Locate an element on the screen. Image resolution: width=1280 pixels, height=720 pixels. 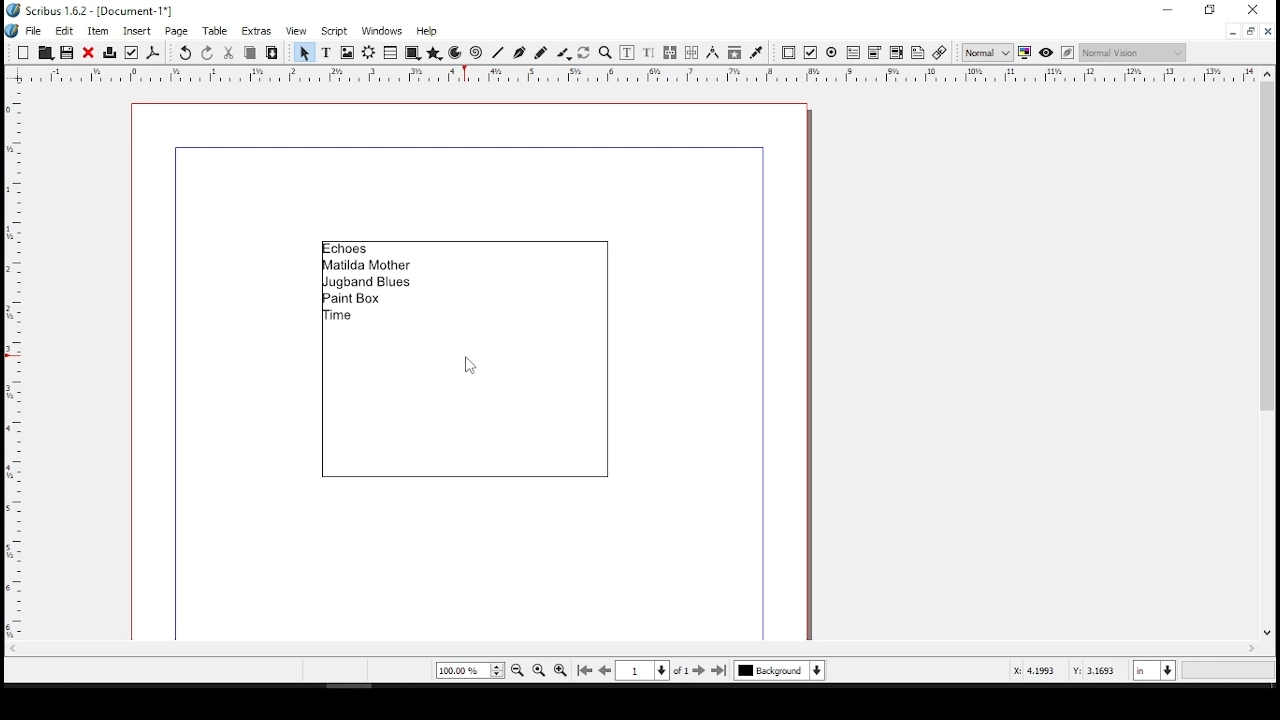
select layer is located at coordinates (780, 670).